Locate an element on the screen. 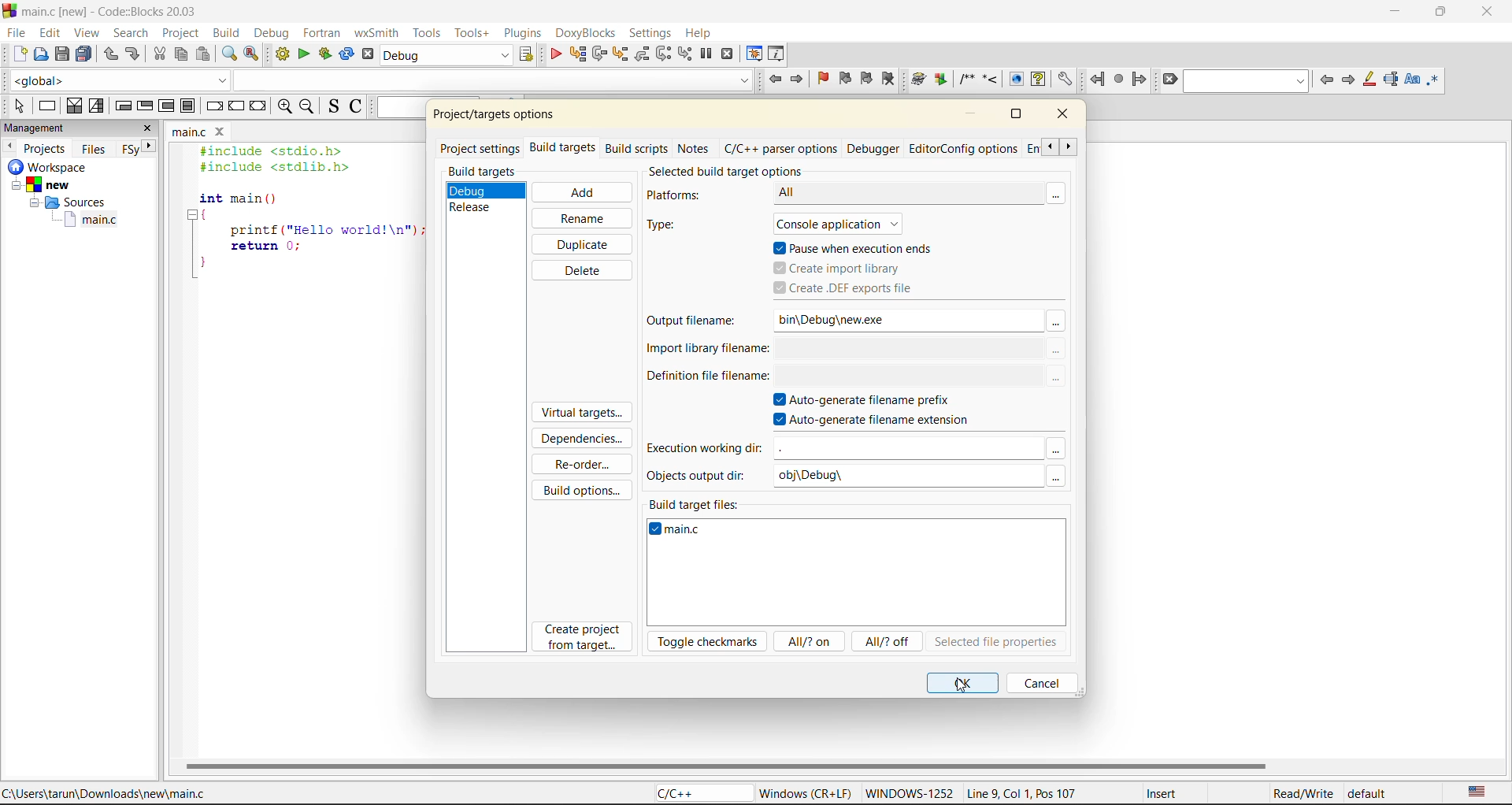 The image size is (1512, 805). open is located at coordinates (42, 54).